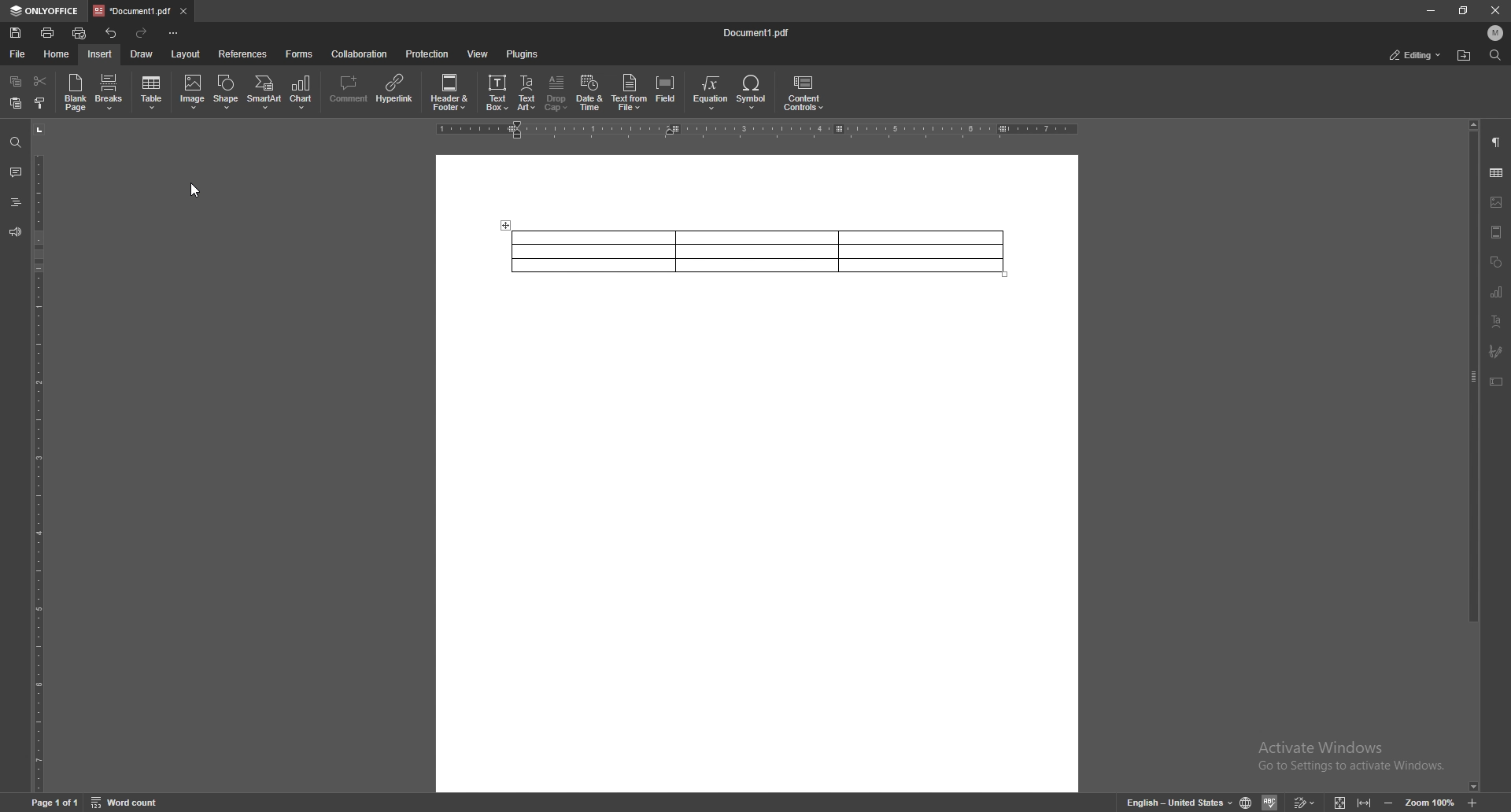  I want to click on change doc language, so click(1247, 801).